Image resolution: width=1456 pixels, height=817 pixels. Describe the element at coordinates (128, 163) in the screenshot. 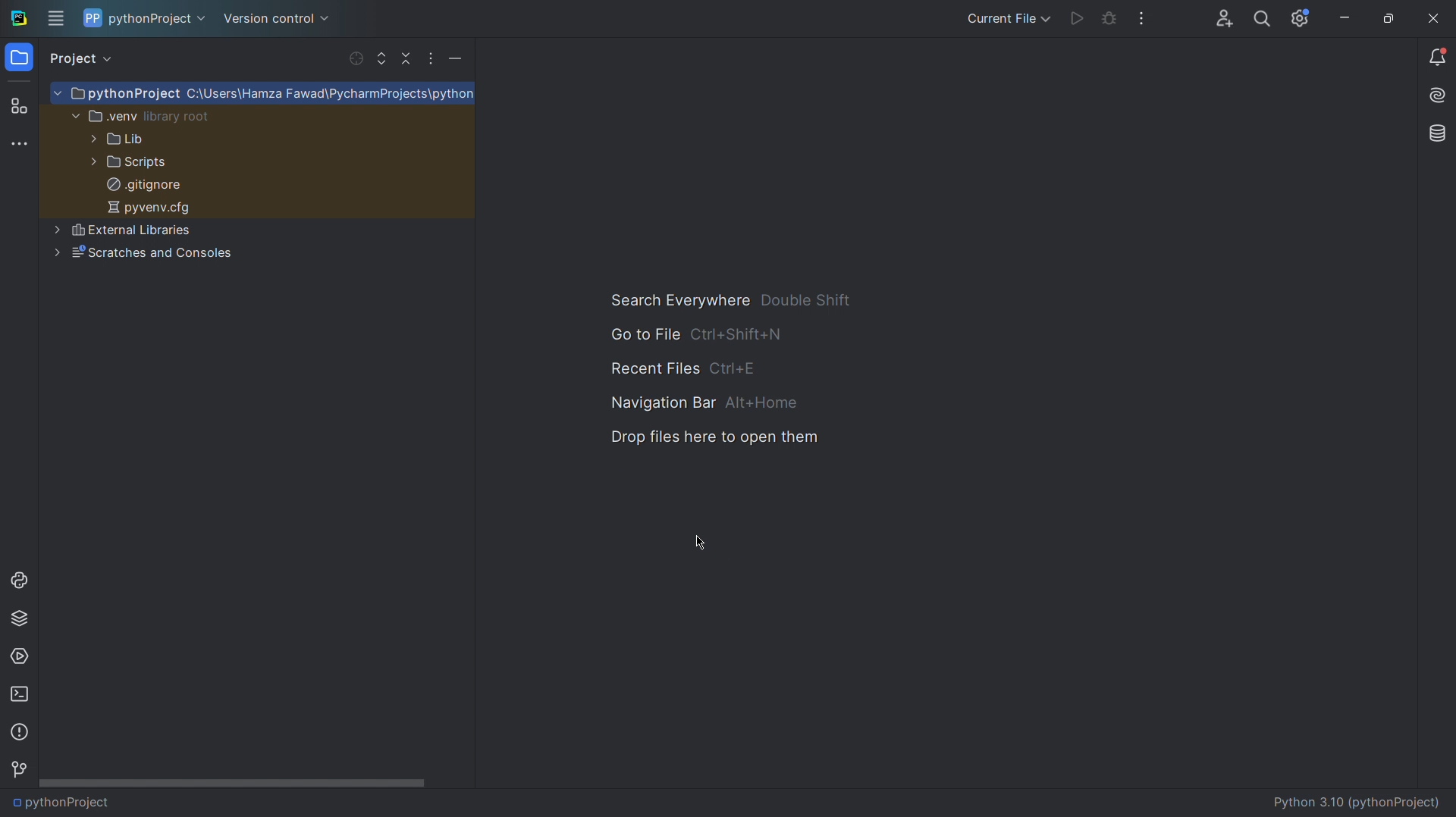

I see `Scripts` at that location.